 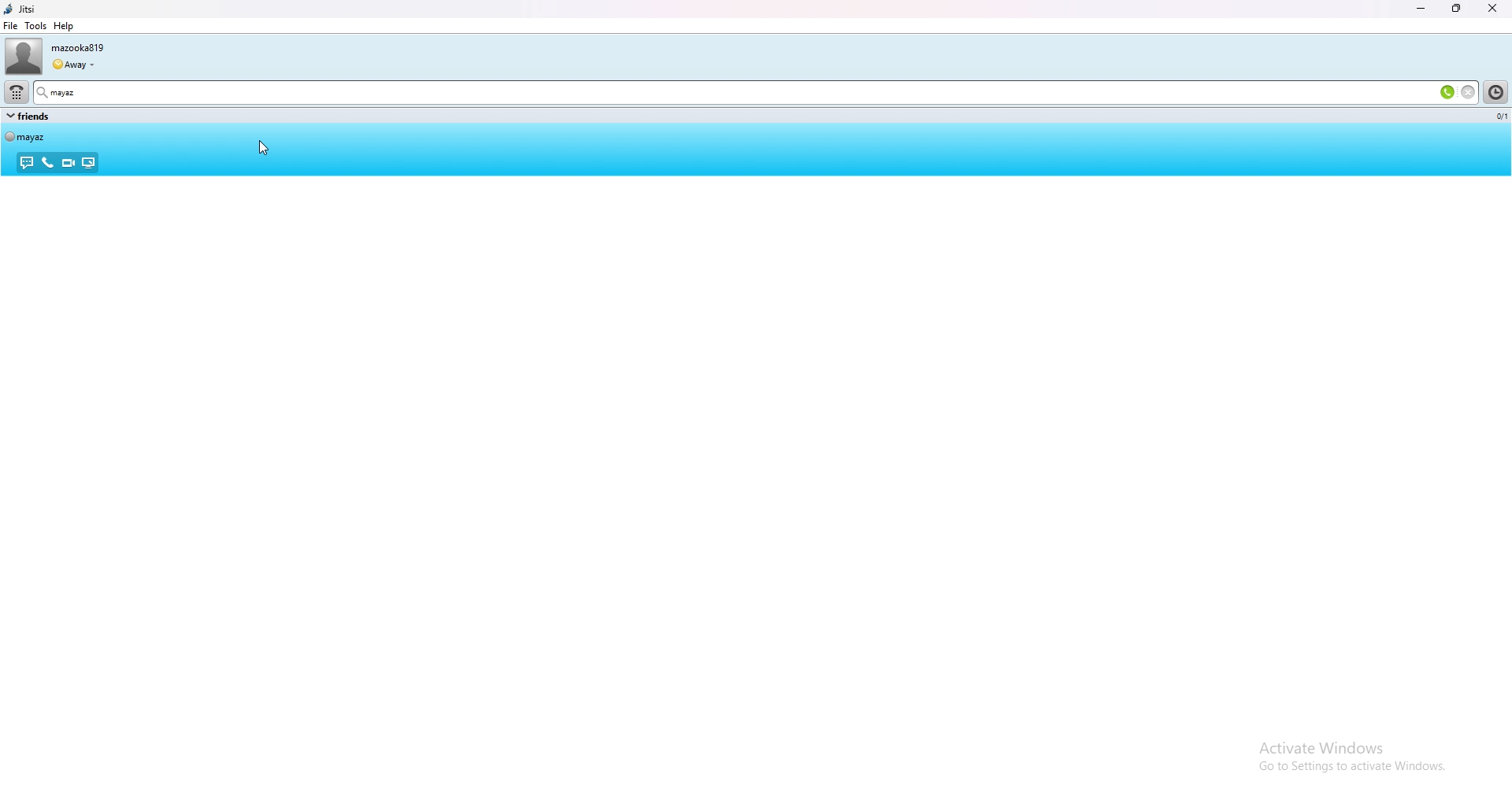 I want to click on resize, so click(x=1458, y=9).